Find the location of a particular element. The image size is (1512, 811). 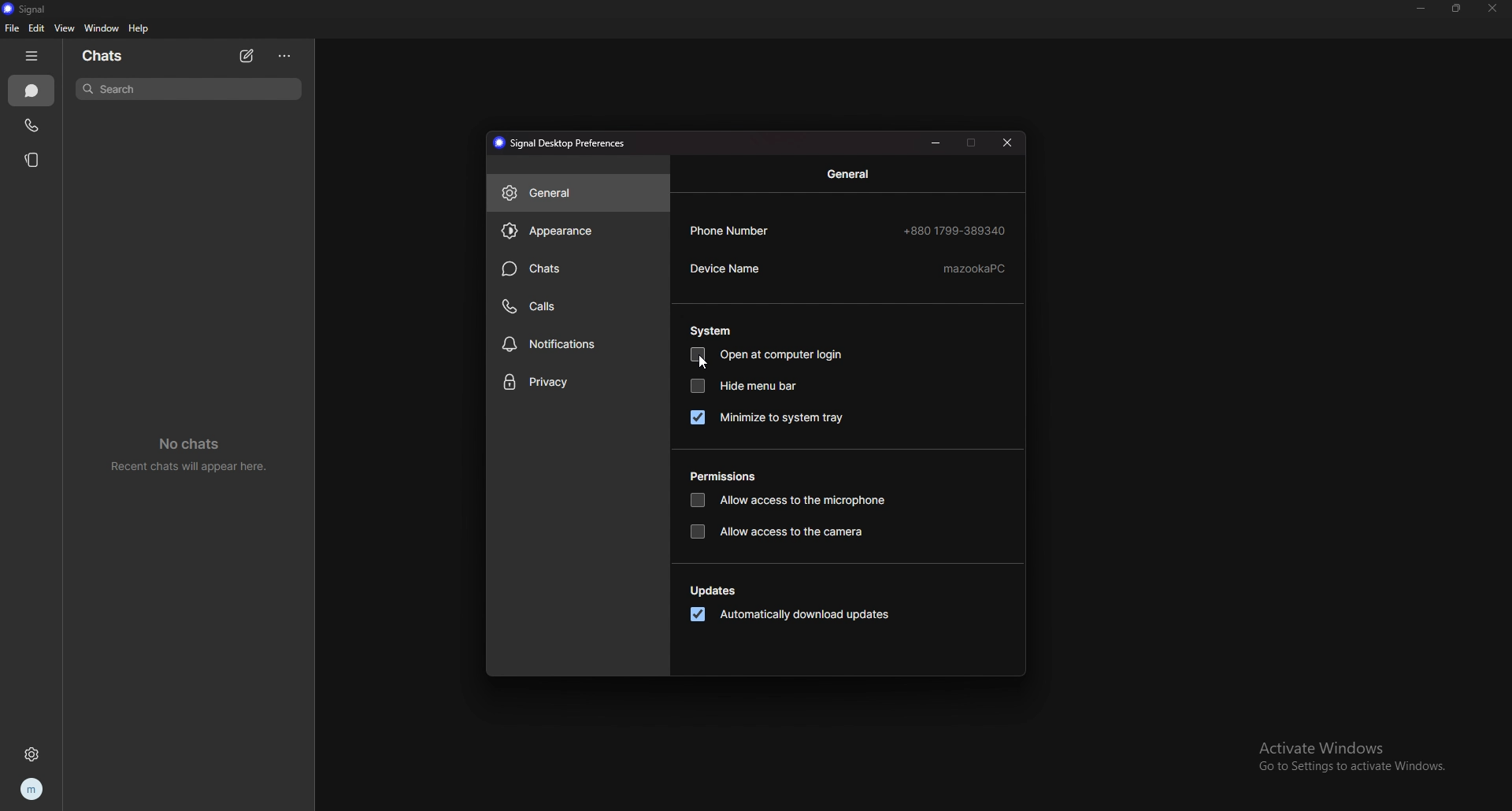

allow access to microphone is located at coordinates (787, 502).